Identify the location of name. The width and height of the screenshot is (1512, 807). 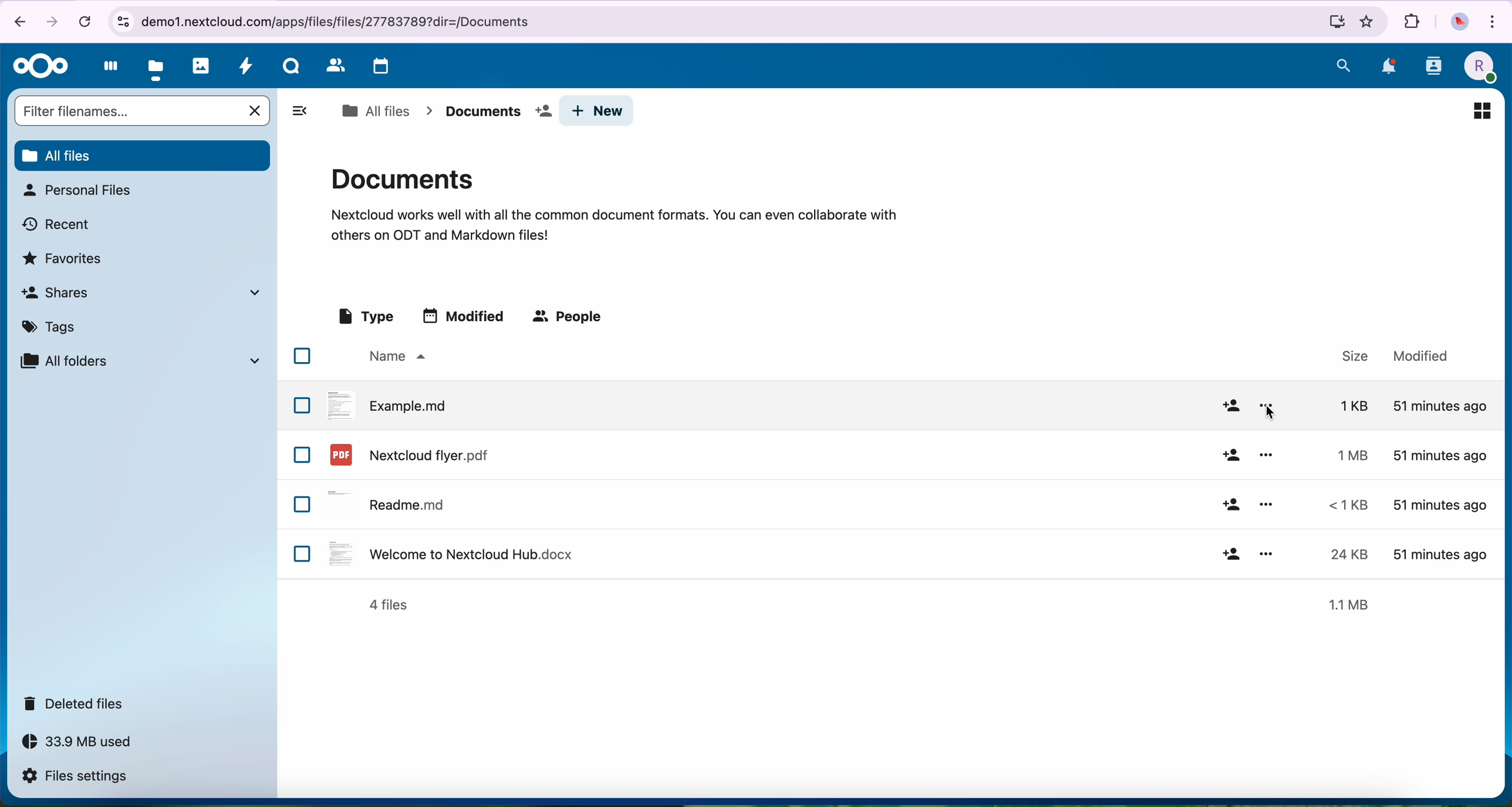
(395, 357).